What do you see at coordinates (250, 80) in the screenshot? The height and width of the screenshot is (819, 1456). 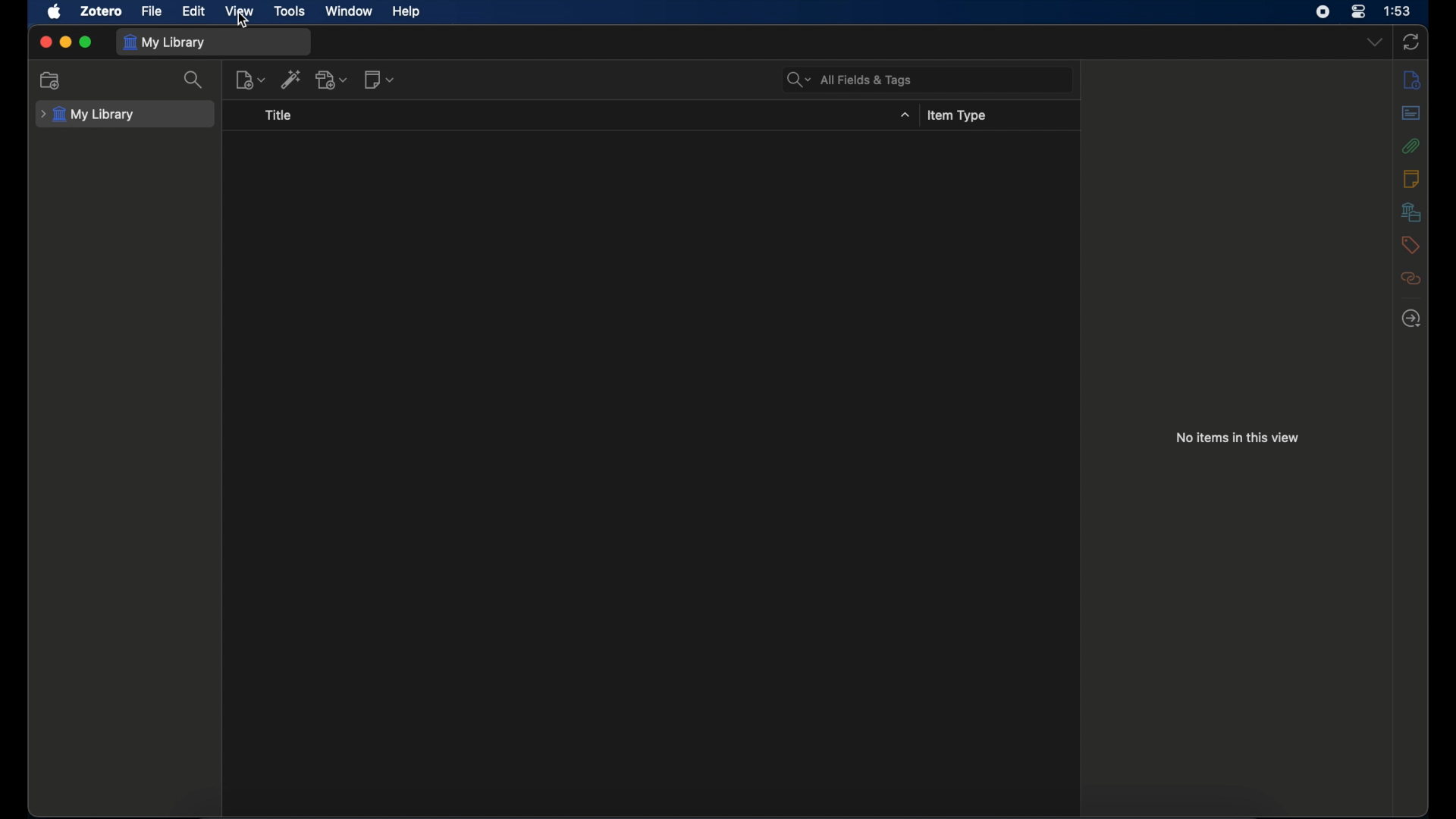 I see `new item` at bounding box center [250, 80].